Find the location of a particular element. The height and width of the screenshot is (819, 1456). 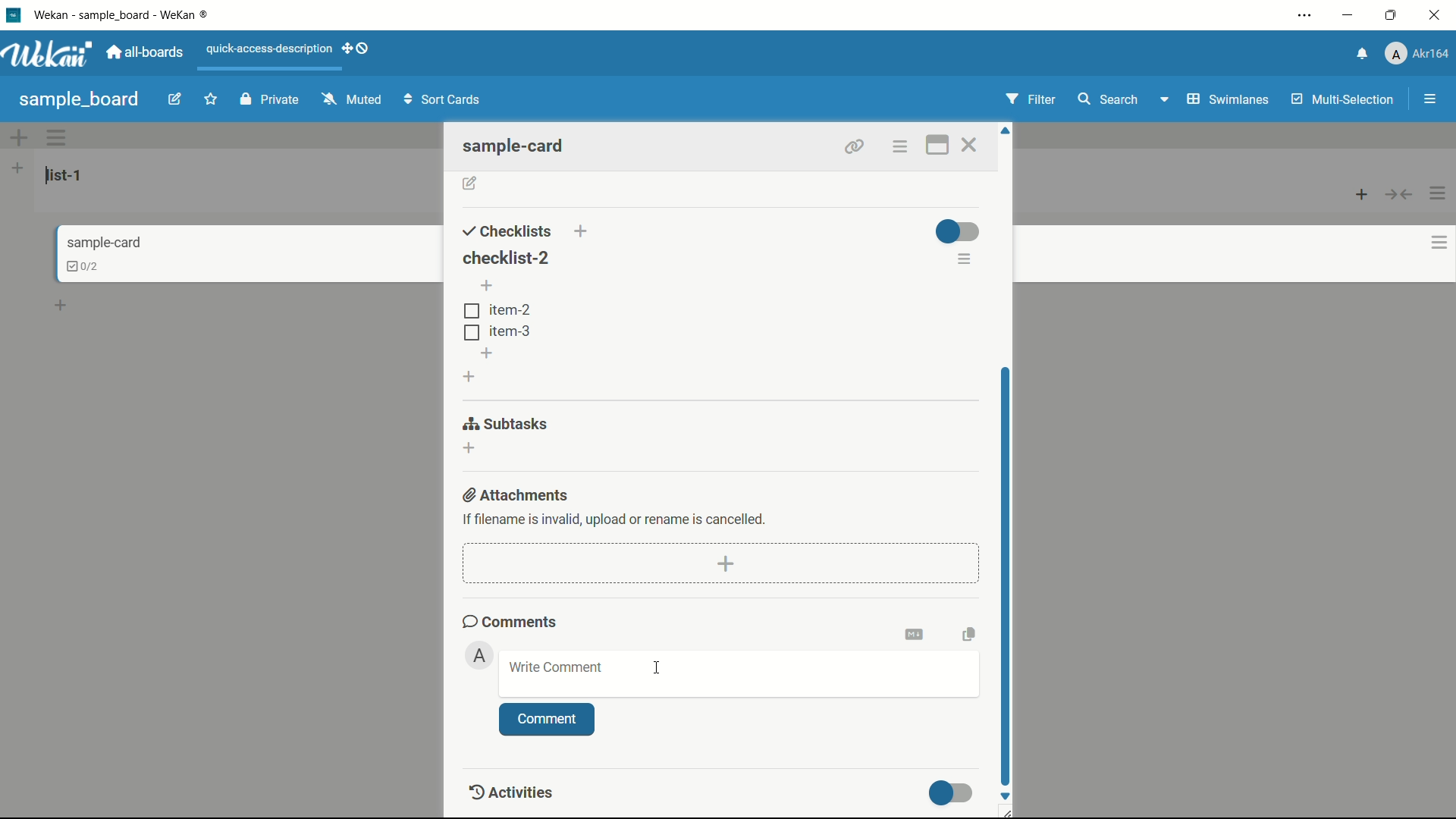

add attachment is located at coordinates (727, 563).